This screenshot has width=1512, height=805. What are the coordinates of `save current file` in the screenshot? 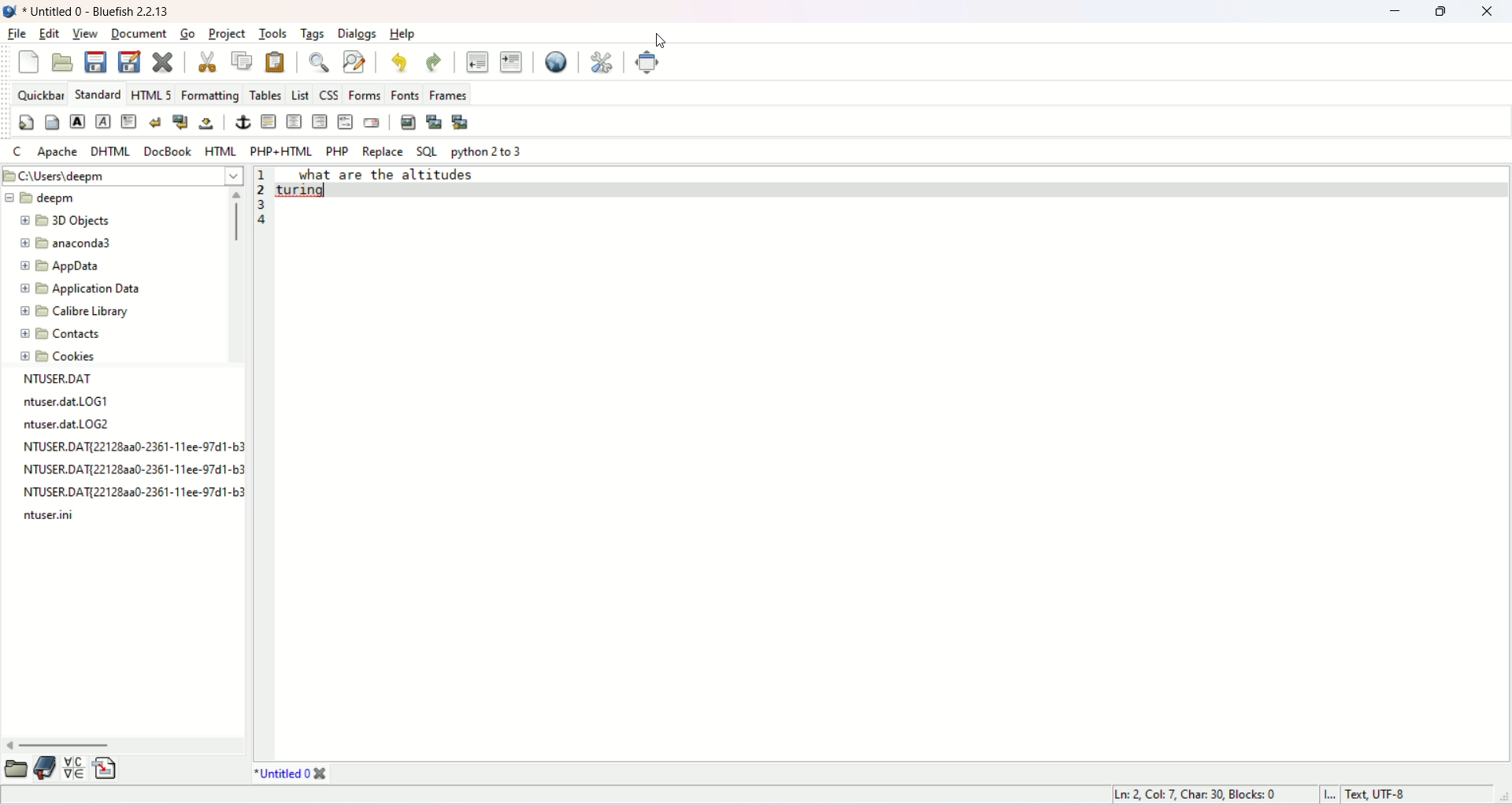 It's located at (94, 61).